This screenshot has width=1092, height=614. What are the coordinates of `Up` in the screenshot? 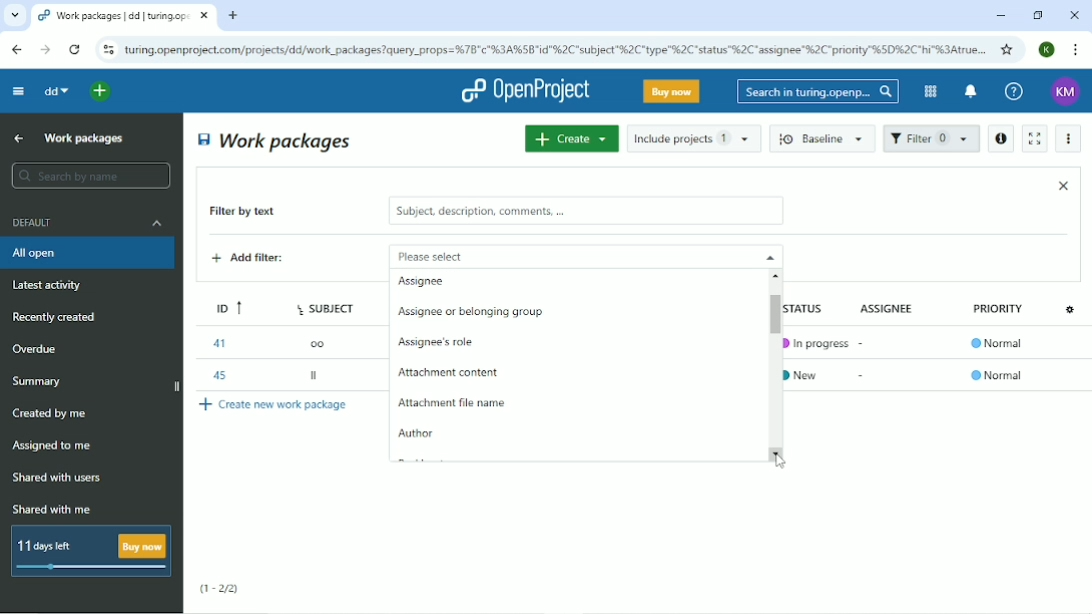 It's located at (16, 139).